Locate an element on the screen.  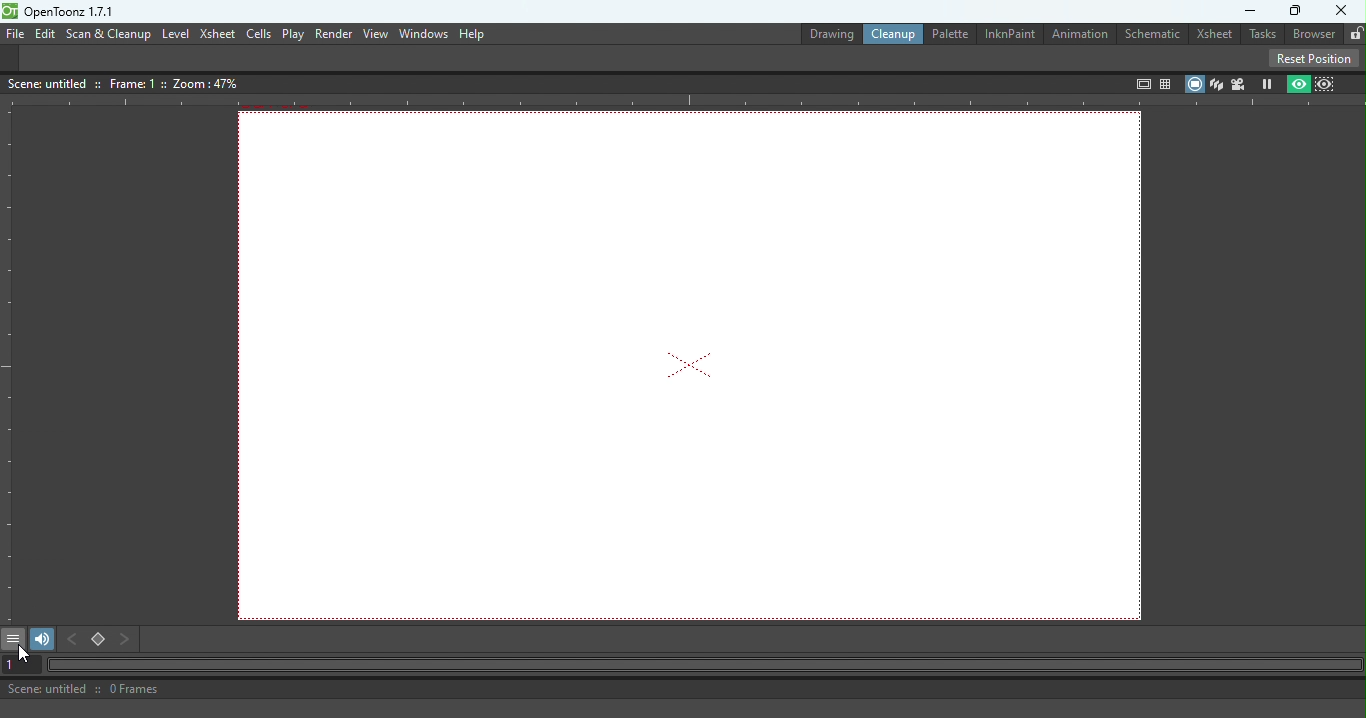
Field guide is located at coordinates (1168, 80).